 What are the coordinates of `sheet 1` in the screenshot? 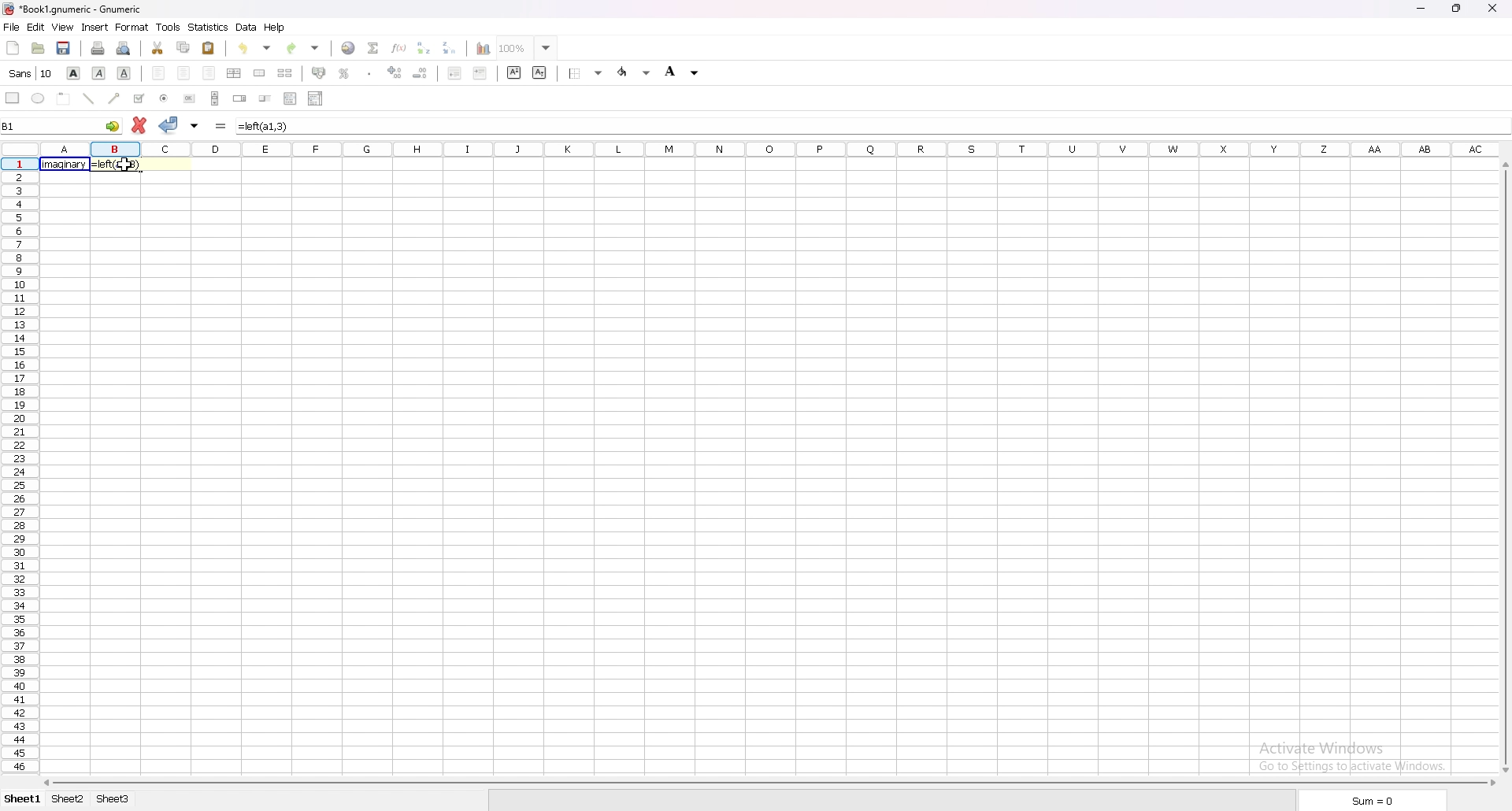 It's located at (24, 799).